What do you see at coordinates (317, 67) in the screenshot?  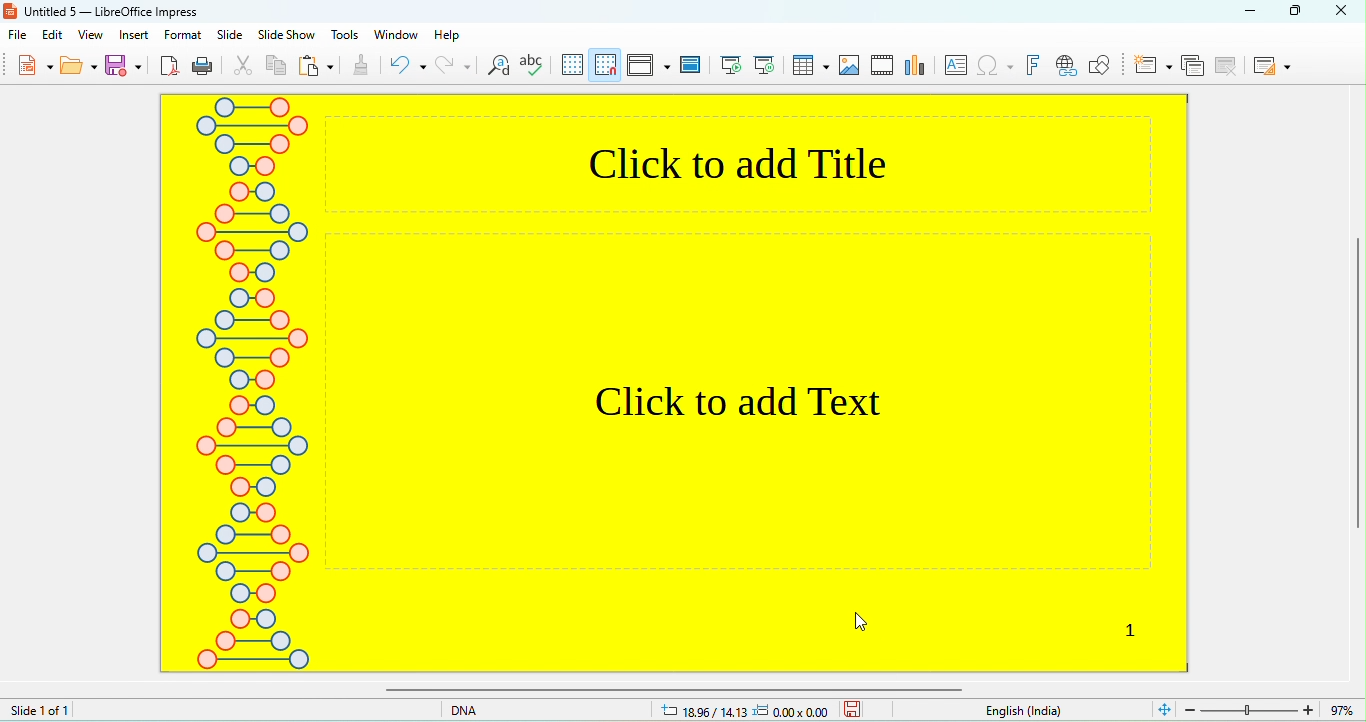 I see `paste` at bounding box center [317, 67].